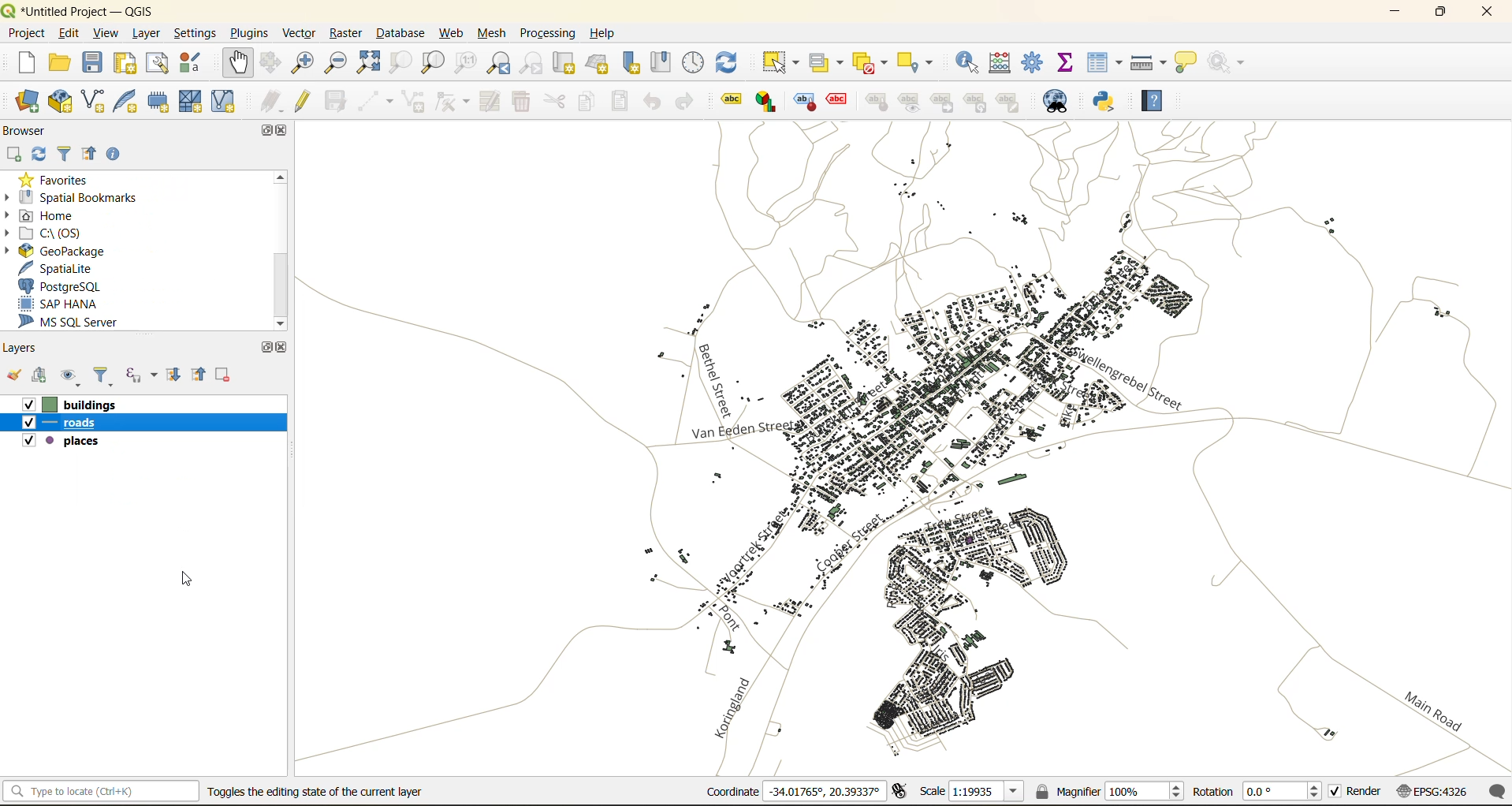  I want to click on view, so click(103, 33).